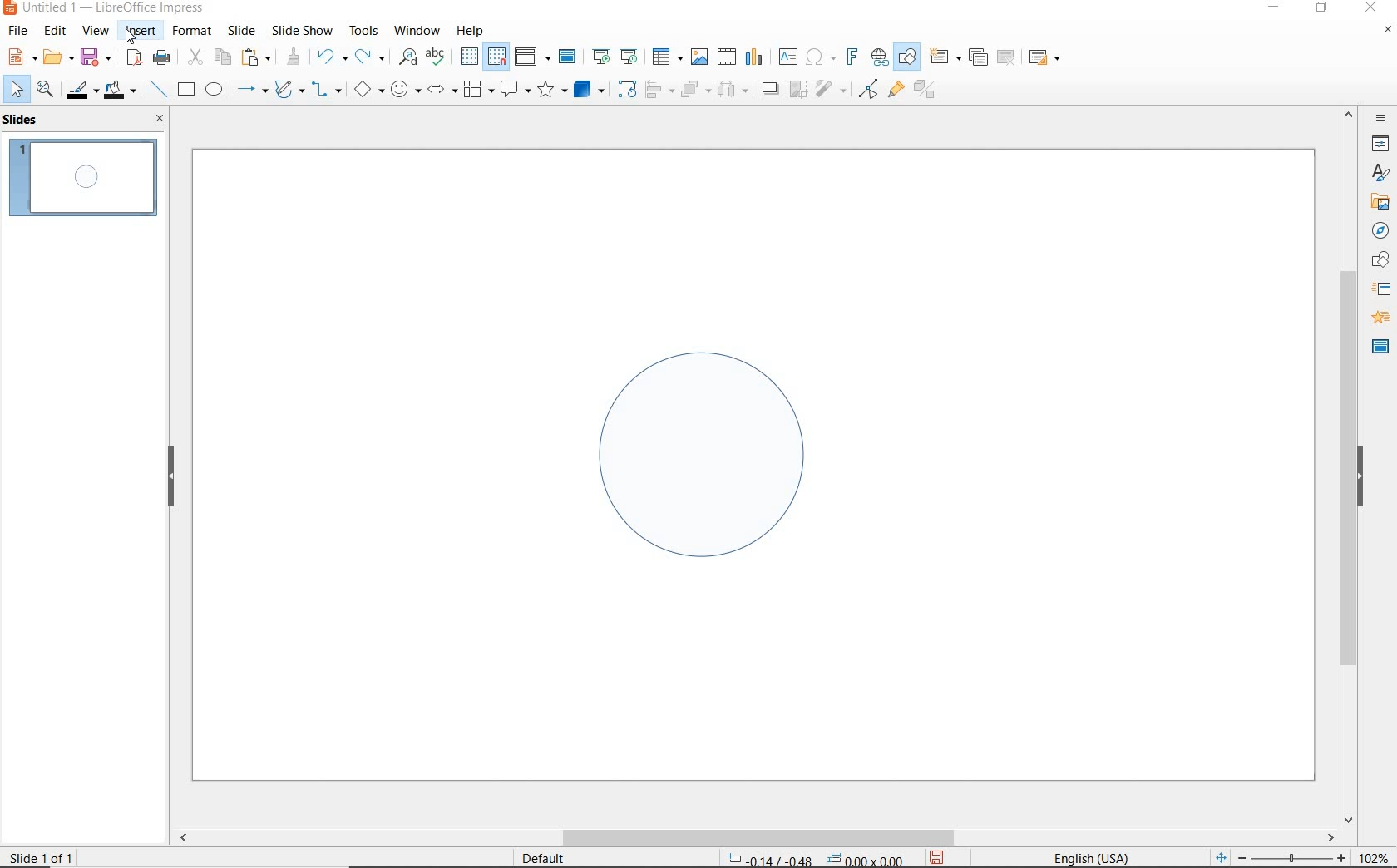 This screenshot has width=1397, height=868. What do you see at coordinates (797, 87) in the screenshot?
I see `crop image` at bounding box center [797, 87].